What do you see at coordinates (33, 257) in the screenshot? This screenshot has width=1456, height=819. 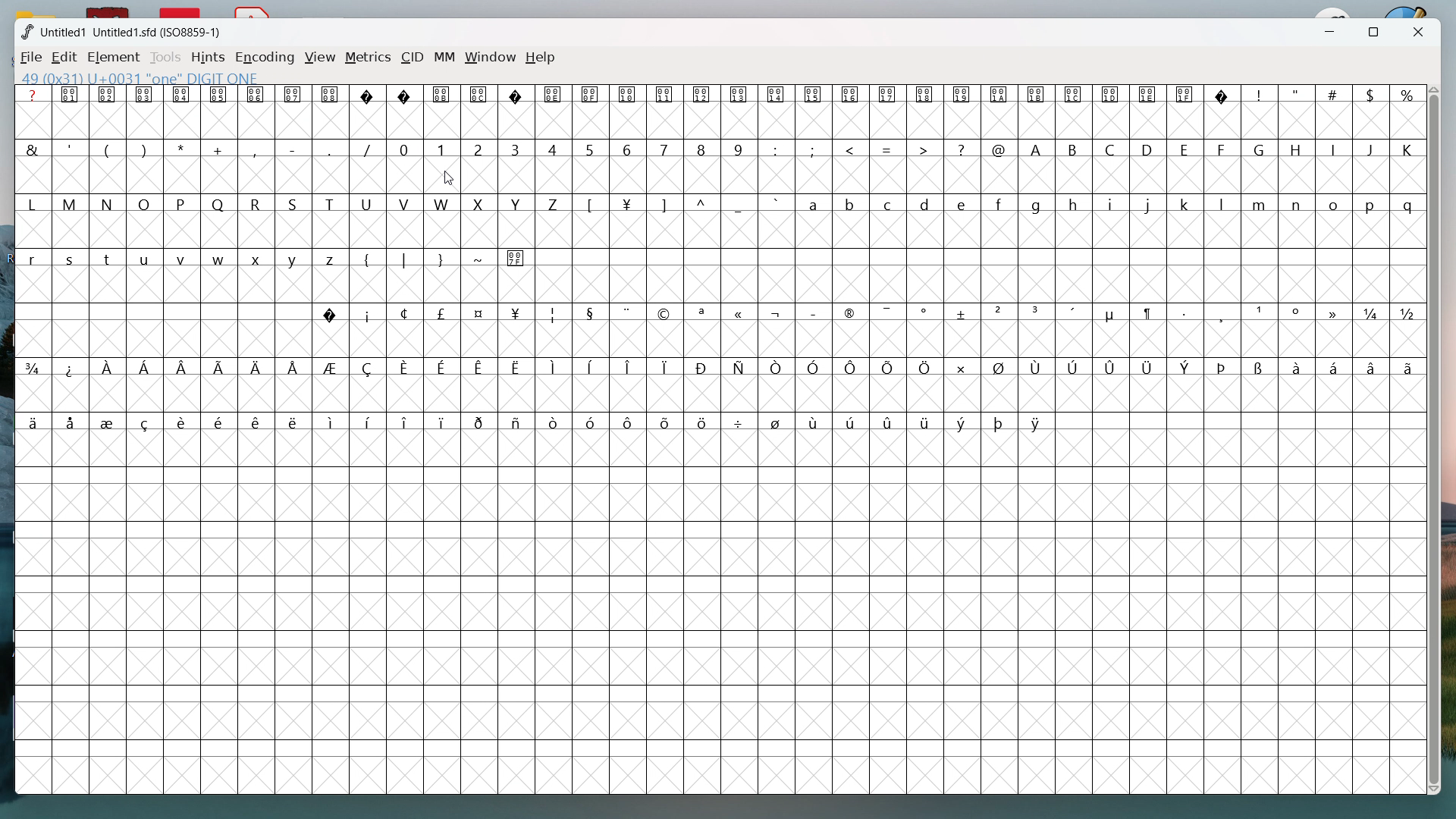 I see `r` at bounding box center [33, 257].